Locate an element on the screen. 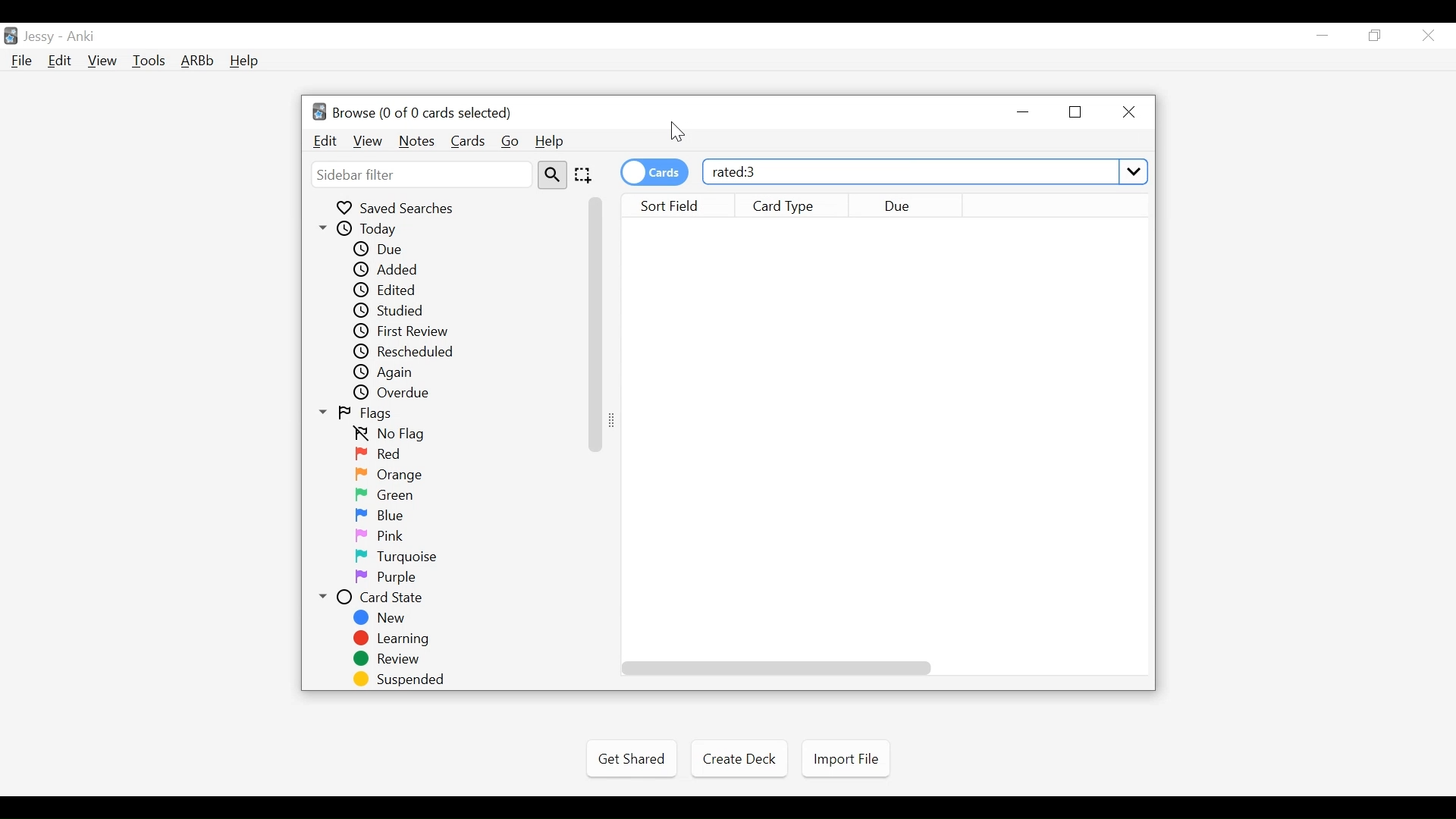  Card State is located at coordinates (383, 598).